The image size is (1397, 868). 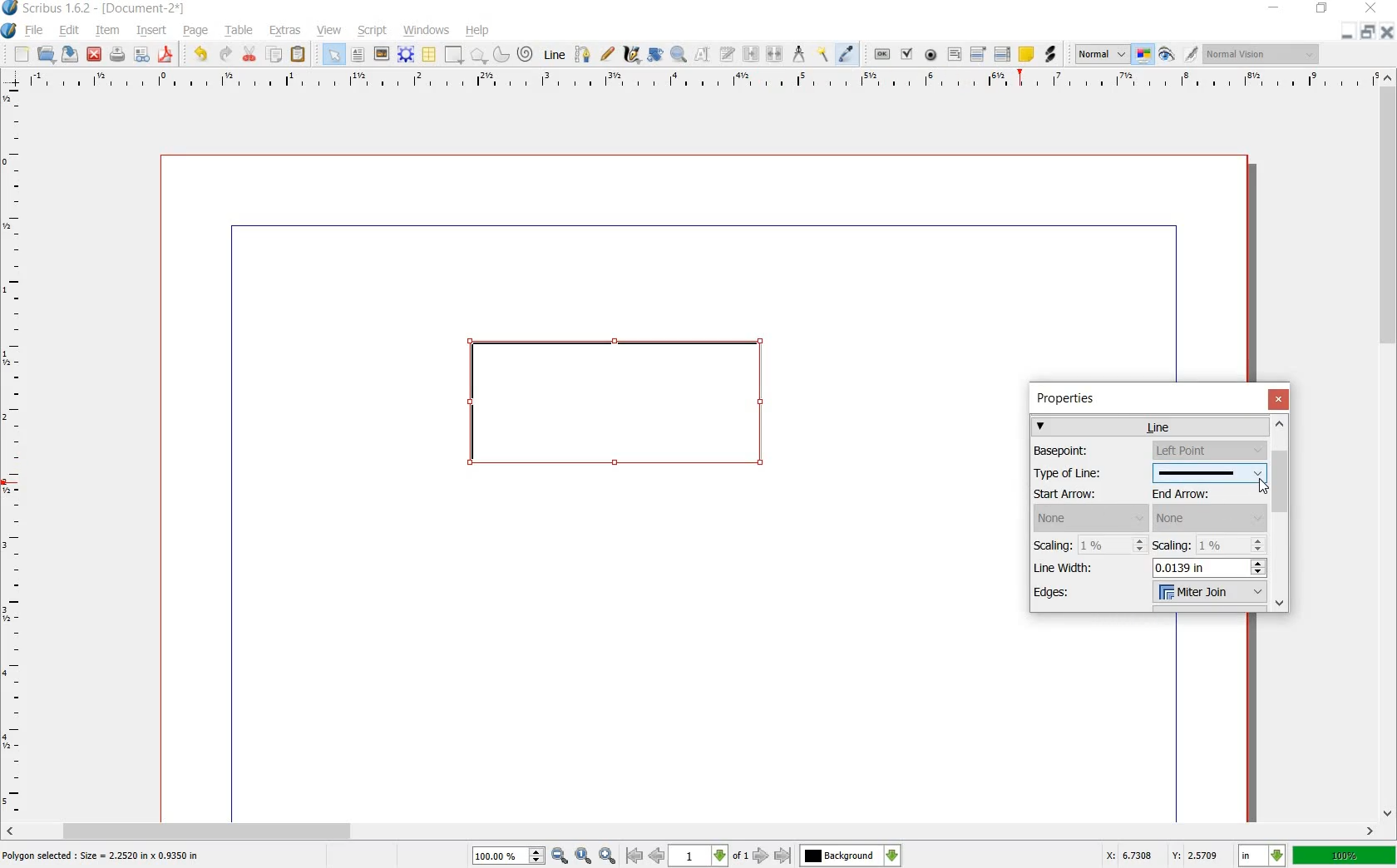 What do you see at coordinates (822, 55) in the screenshot?
I see `COPY ITEM PROPERTIES` at bounding box center [822, 55].